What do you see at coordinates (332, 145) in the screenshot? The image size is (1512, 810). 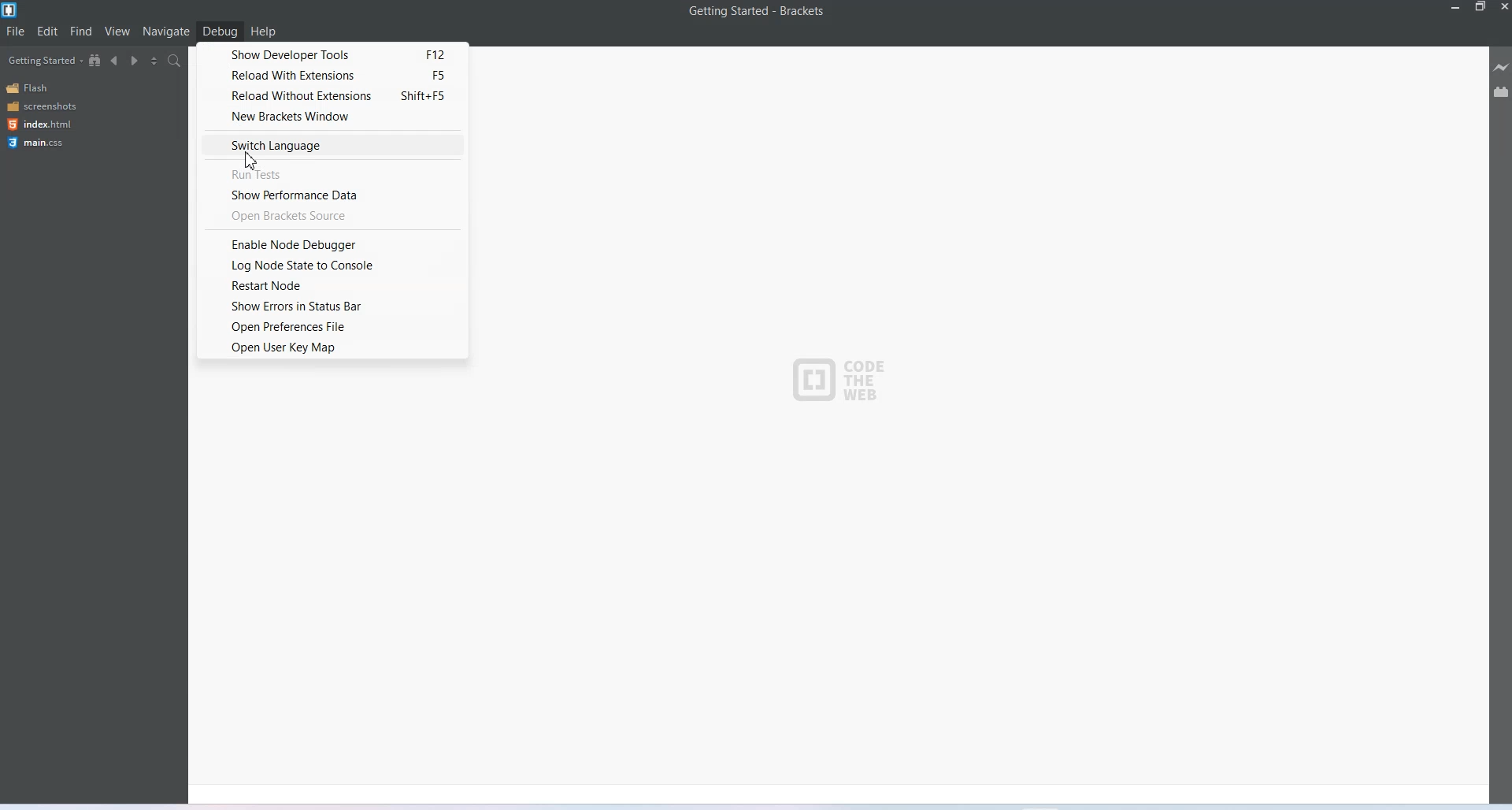 I see `Which language` at bounding box center [332, 145].